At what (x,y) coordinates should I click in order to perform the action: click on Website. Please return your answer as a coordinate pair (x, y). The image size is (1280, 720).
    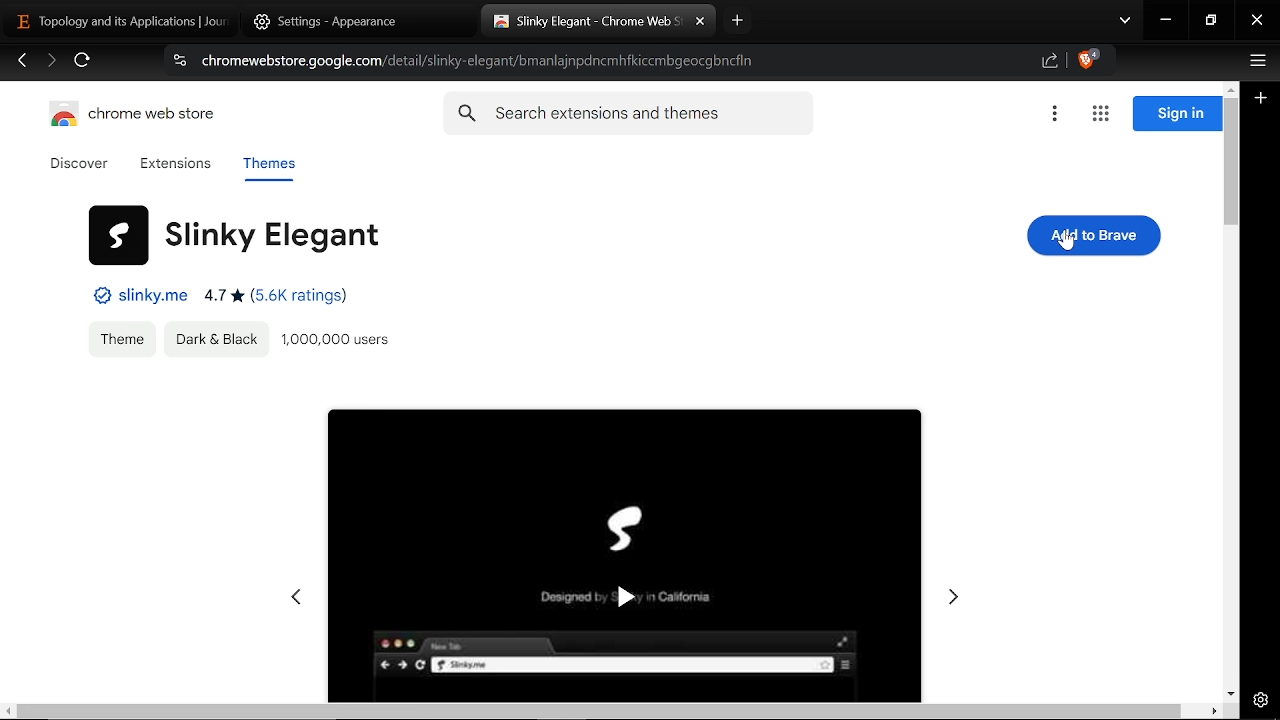
    Looking at the image, I should click on (136, 296).